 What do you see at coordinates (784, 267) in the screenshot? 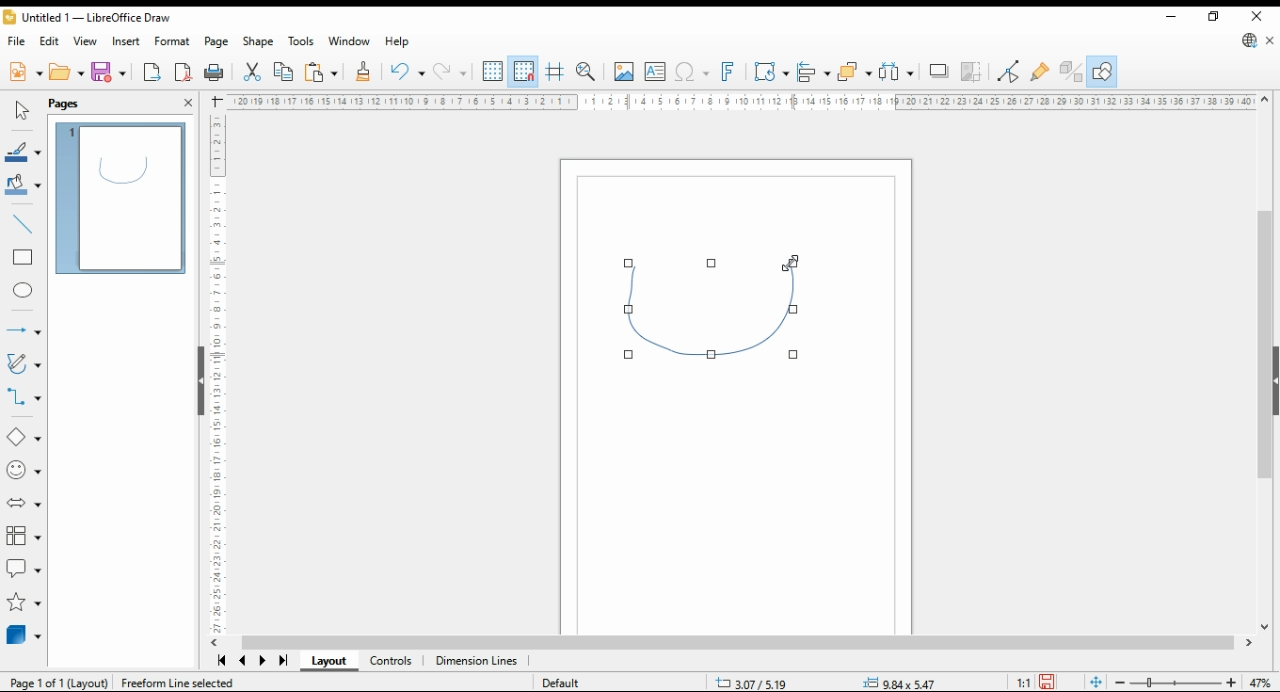
I see `mouse pointer` at bounding box center [784, 267].